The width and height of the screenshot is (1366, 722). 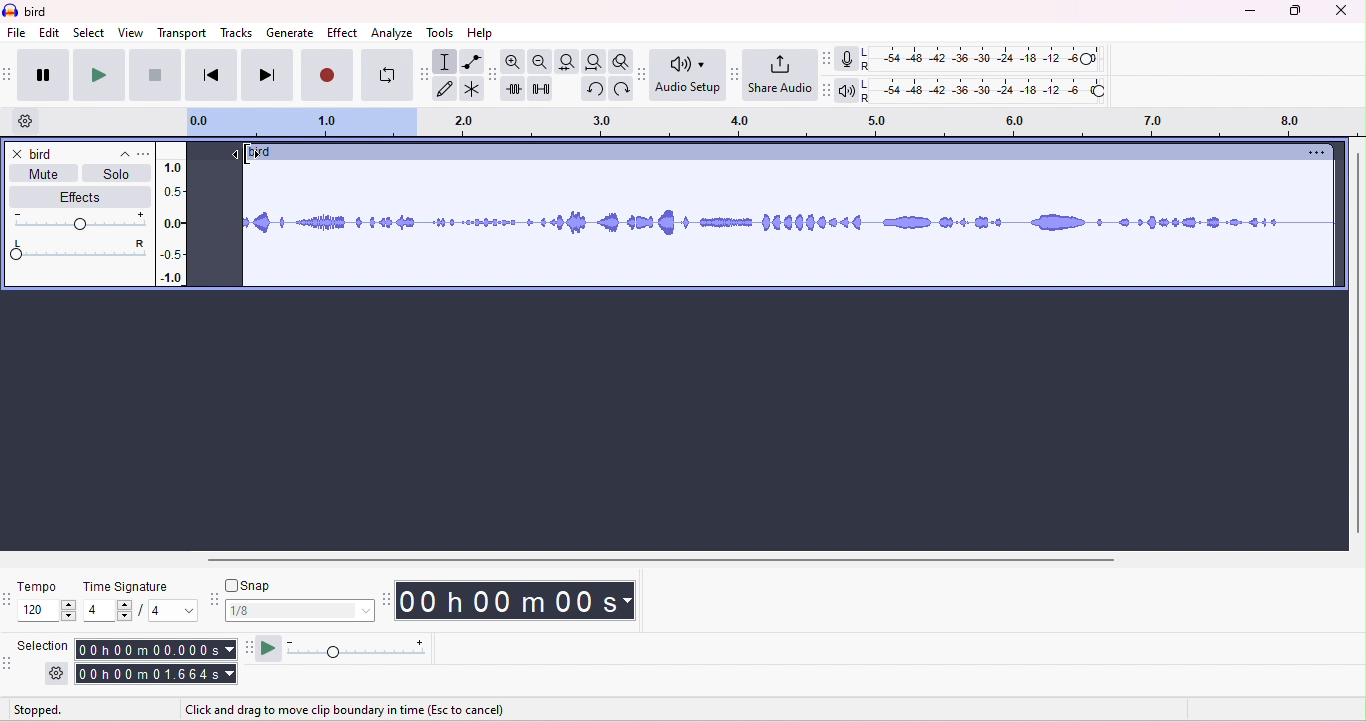 I want to click on play at speed tool bar, so click(x=246, y=646).